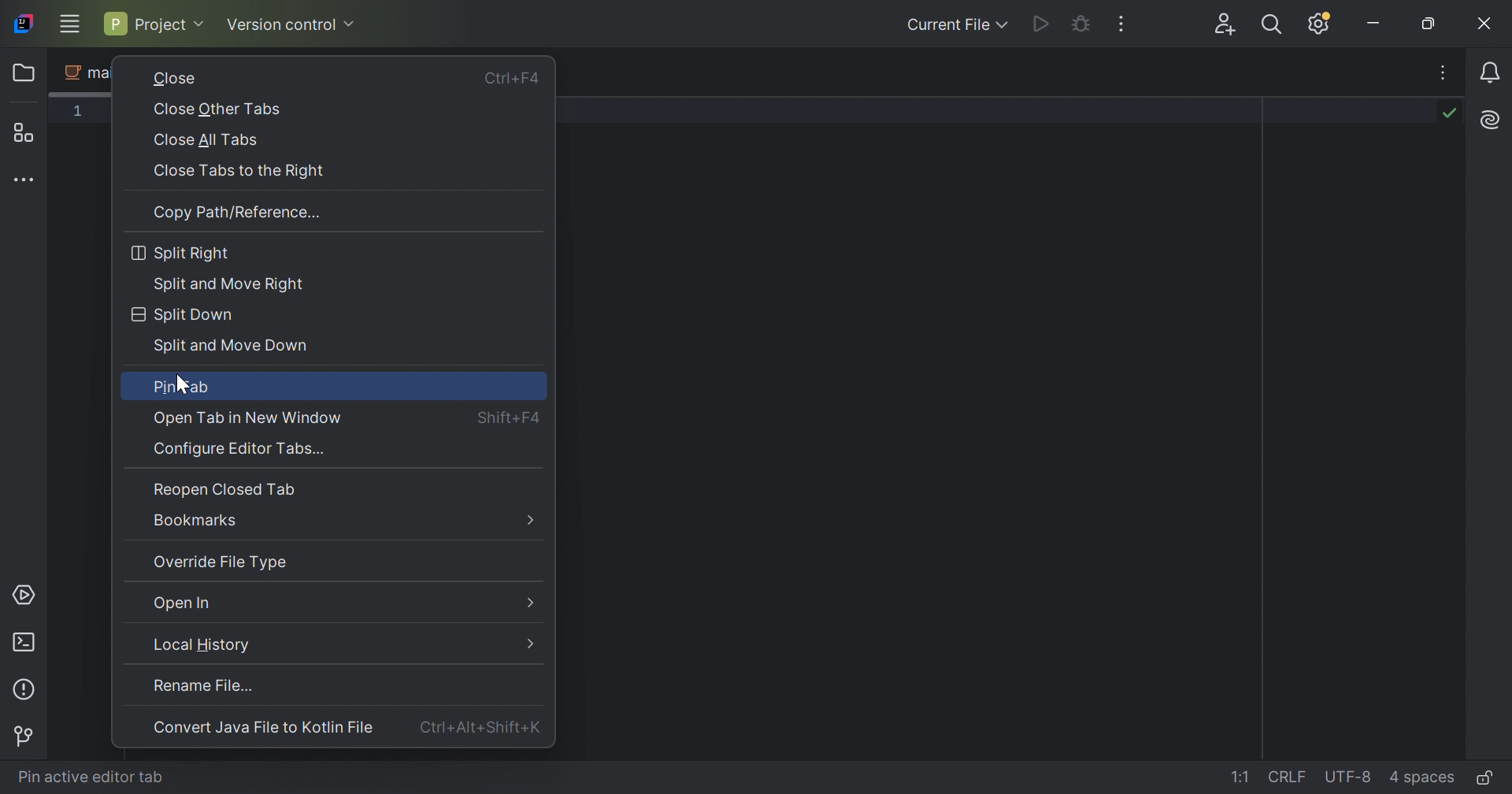 The width and height of the screenshot is (1512, 794). I want to click on Shift+F4, so click(510, 417).